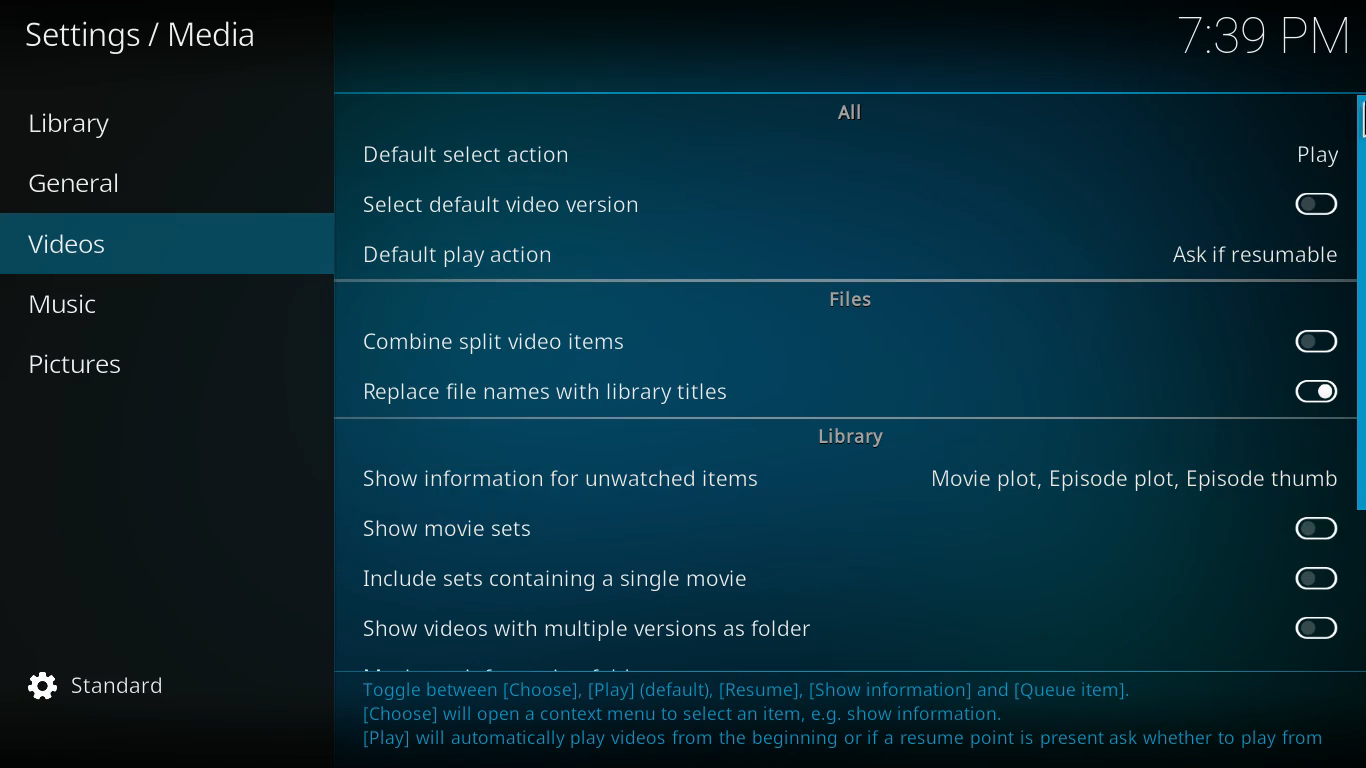  Describe the element at coordinates (1317, 525) in the screenshot. I see `off` at that location.